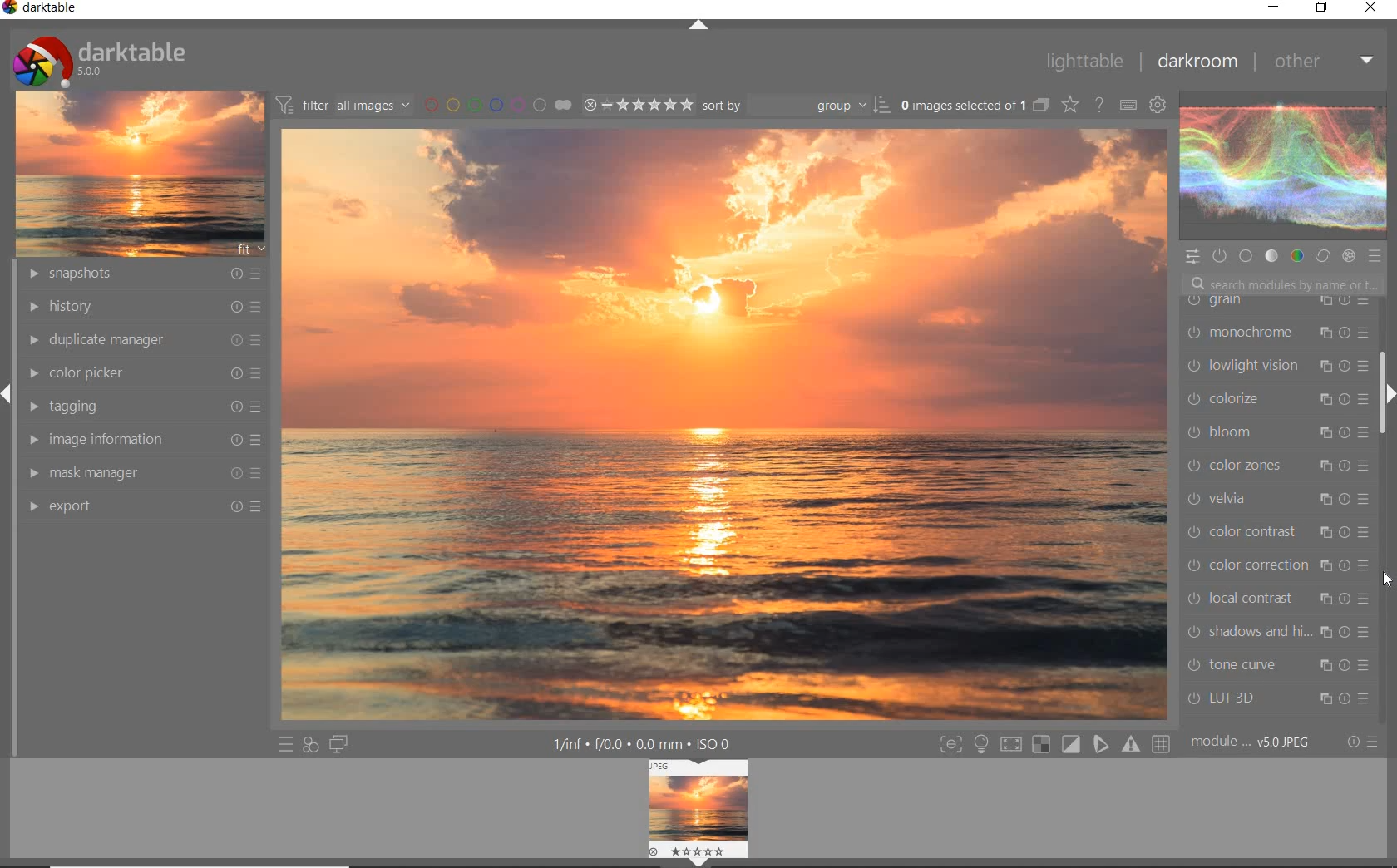 This screenshot has height=868, width=1397. Describe the element at coordinates (698, 814) in the screenshot. I see `IMAGE PREVIEW` at that location.